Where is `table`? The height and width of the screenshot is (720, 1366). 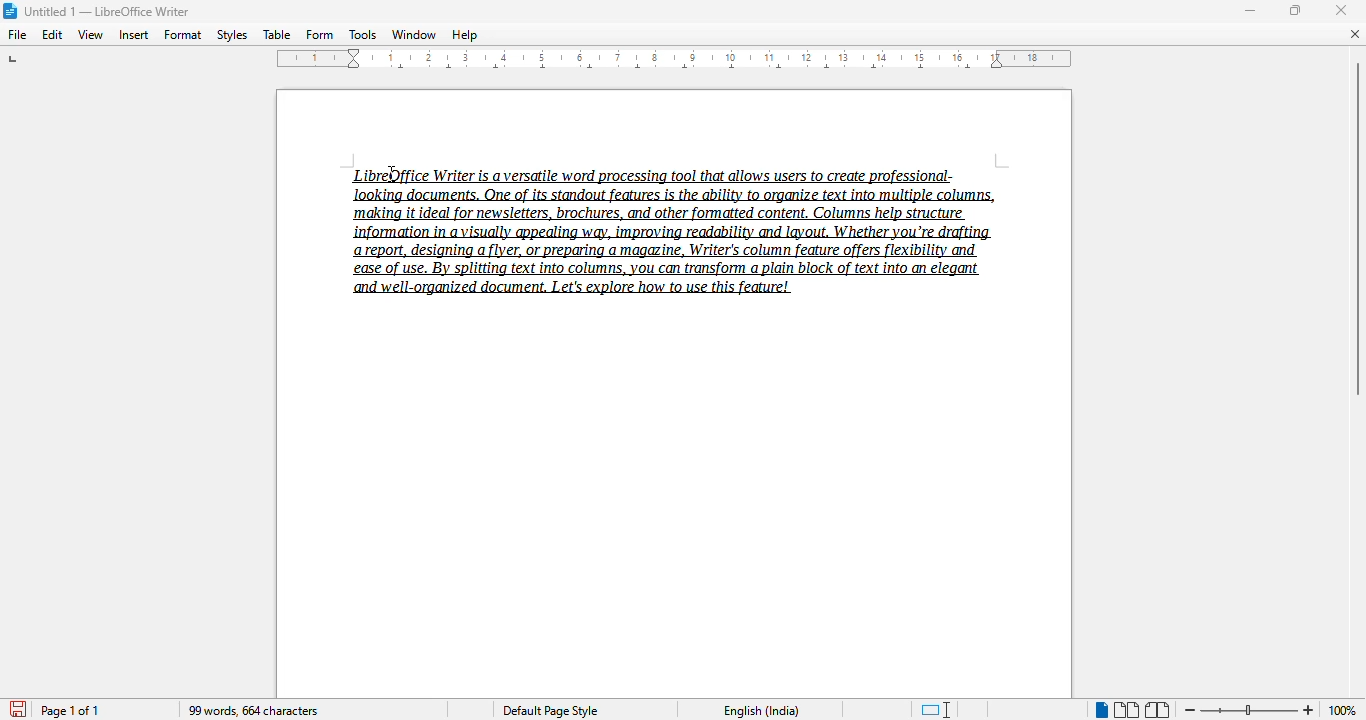
table is located at coordinates (277, 35).